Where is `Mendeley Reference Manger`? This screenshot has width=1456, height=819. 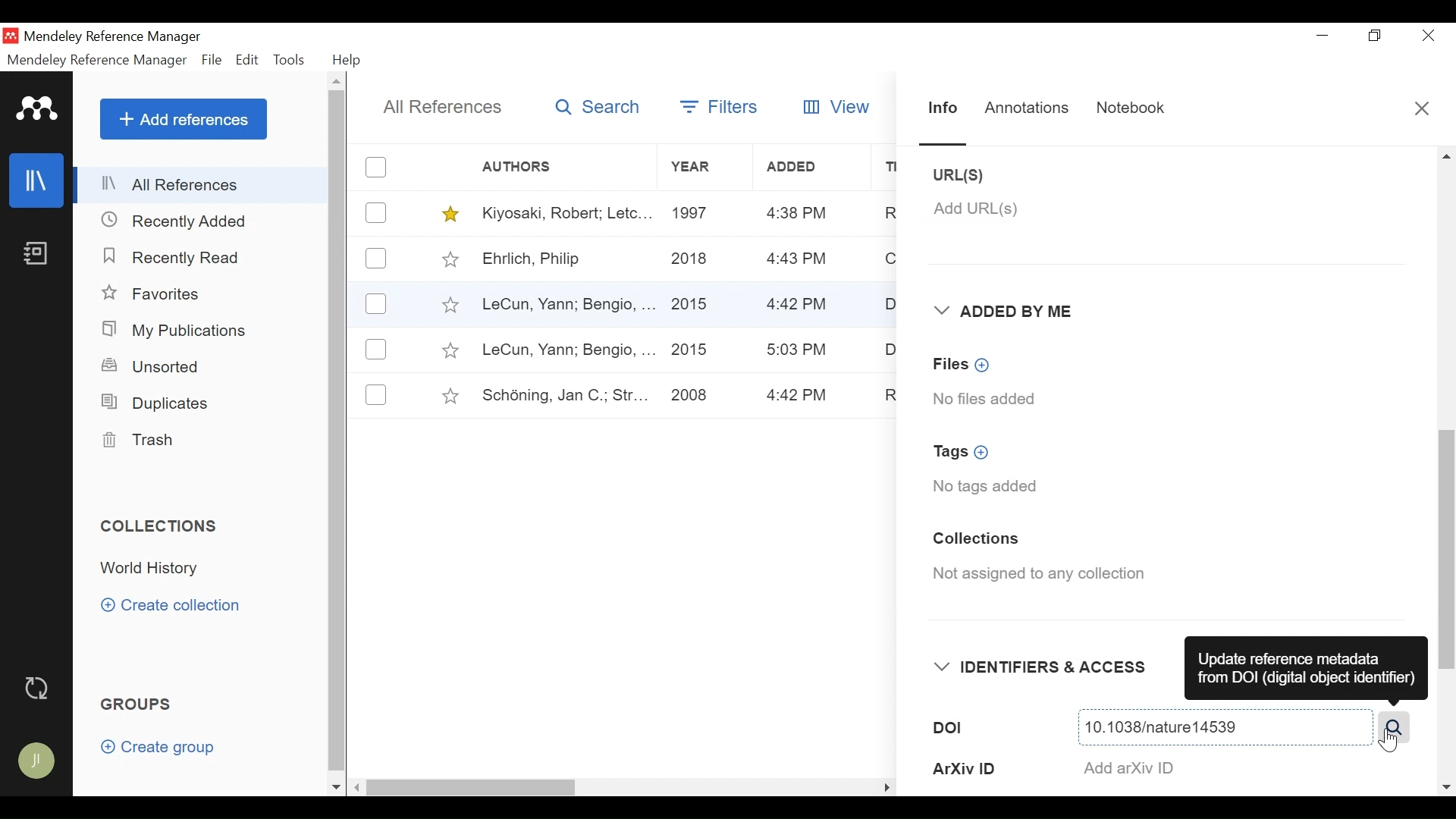
Mendeley Reference Manger is located at coordinates (122, 36).